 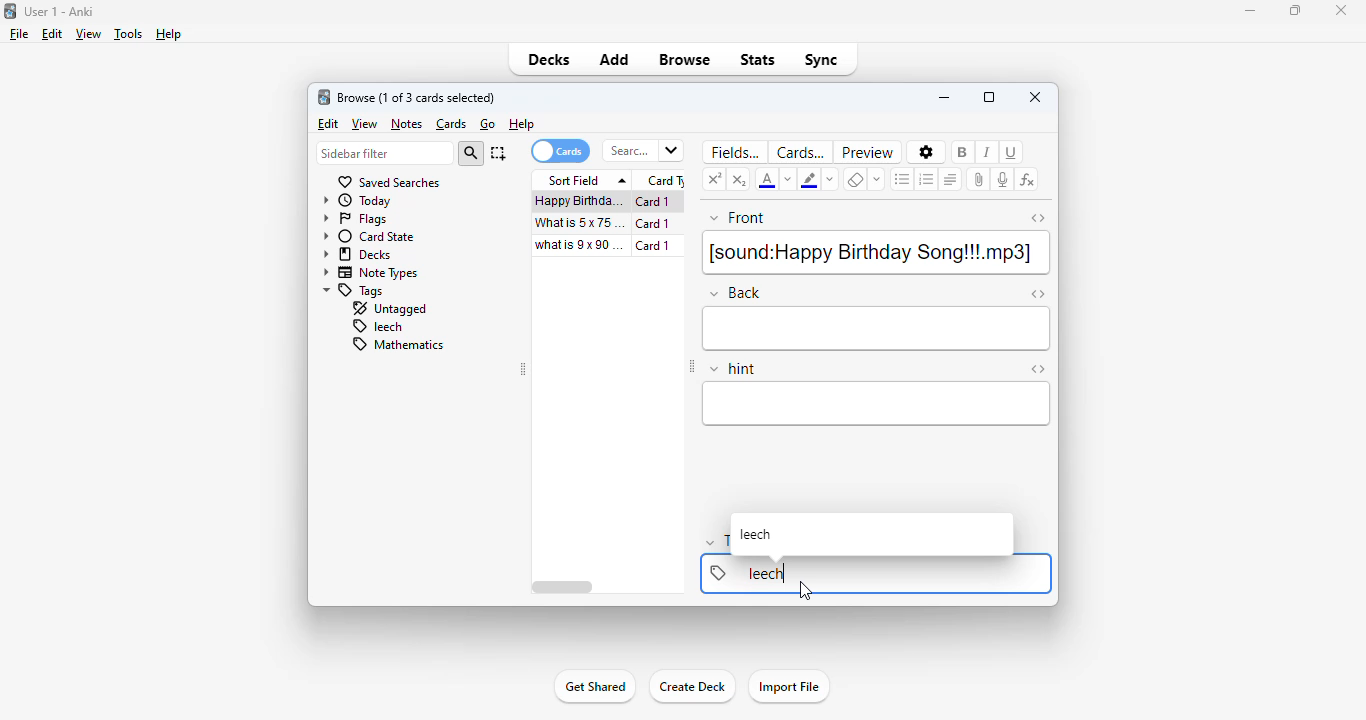 What do you see at coordinates (1003, 179) in the screenshot?
I see `record audio` at bounding box center [1003, 179].